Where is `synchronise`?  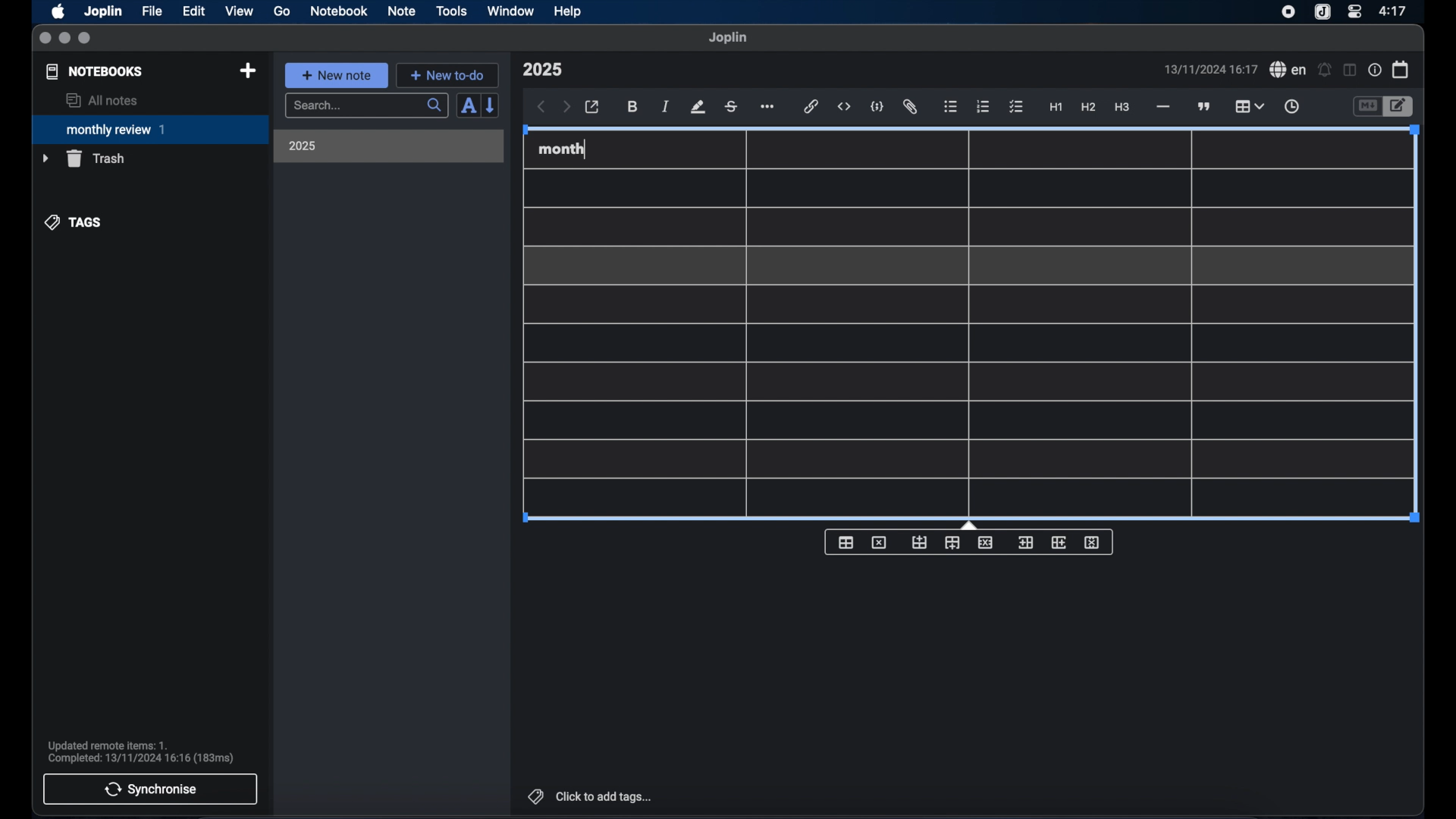 synchronise is located at coordinates (150, 789).